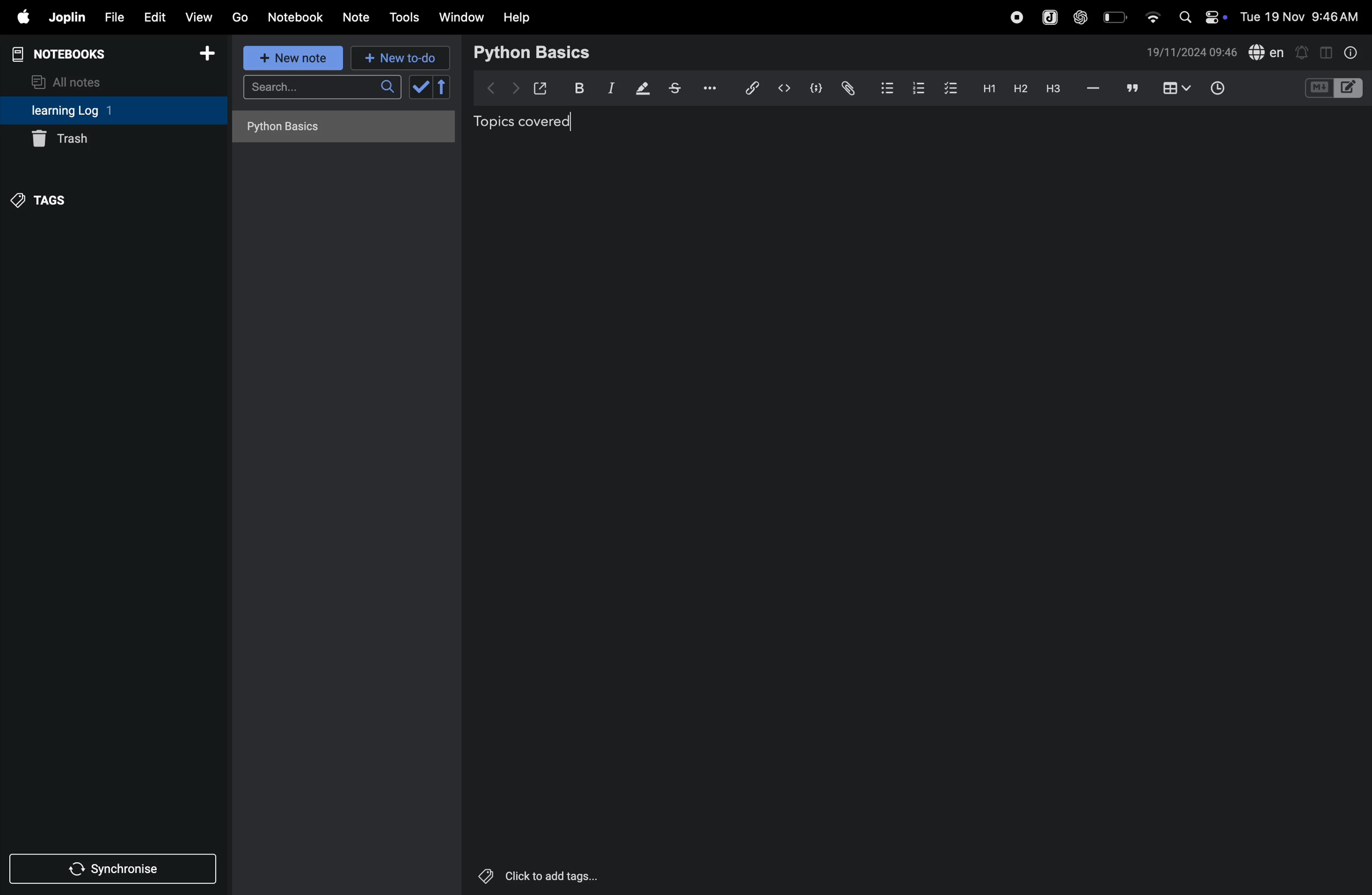 The width and height of the screenshot is (1372, 895). What do you see at coordinates (707, 87) in the screenshot?
I see `options` at bounding box center [707, 87].